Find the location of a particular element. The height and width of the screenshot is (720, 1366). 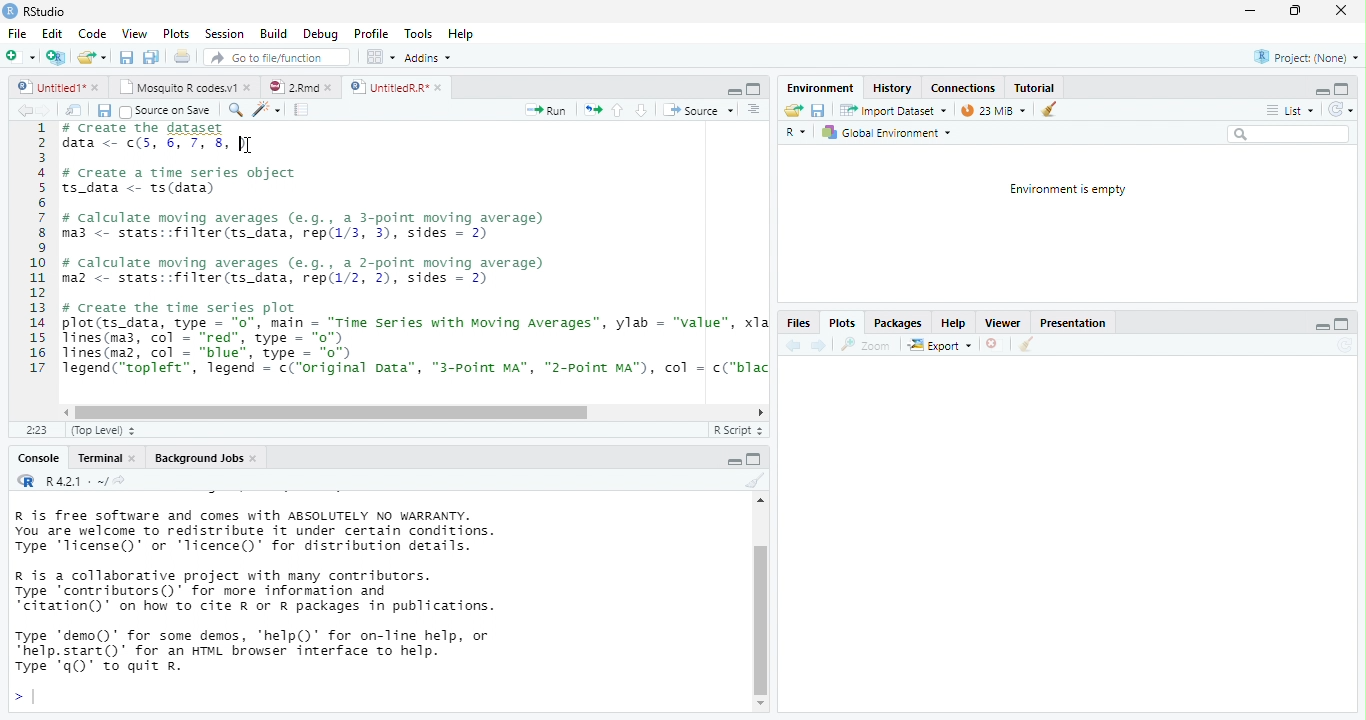

UntitiedR.R" is located at coordinates (387, 87).